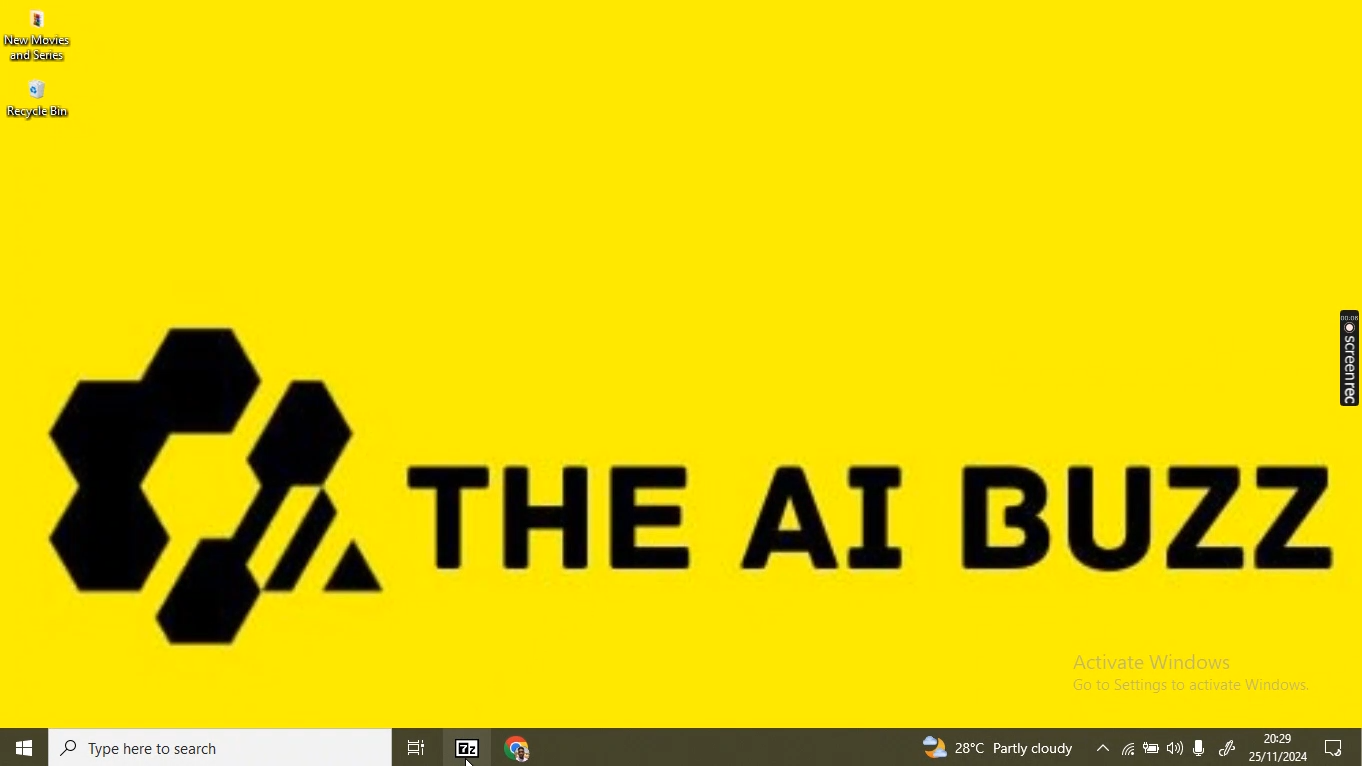 This screenshot has width=1362, height=766. What do you see at coordinates (222, 747) in the screenshot?
I see `search bar` at bounding box center [222, 747].